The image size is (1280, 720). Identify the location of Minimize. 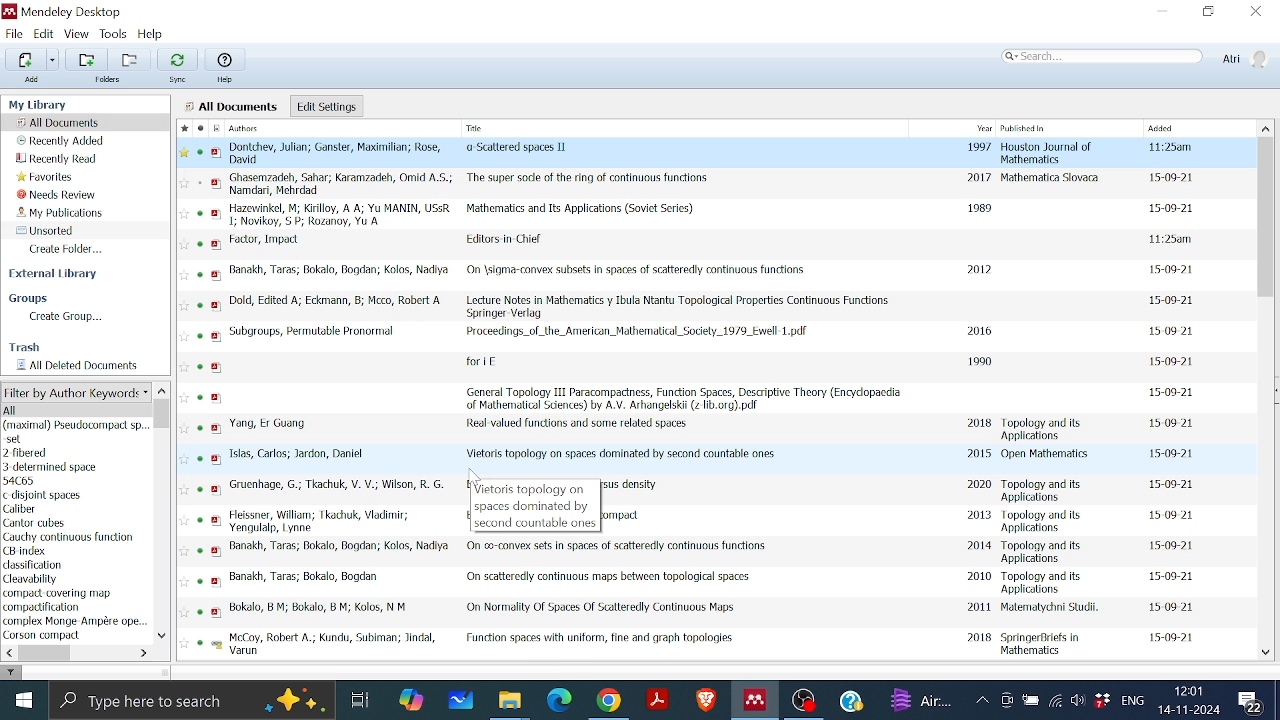
(1162, 11).